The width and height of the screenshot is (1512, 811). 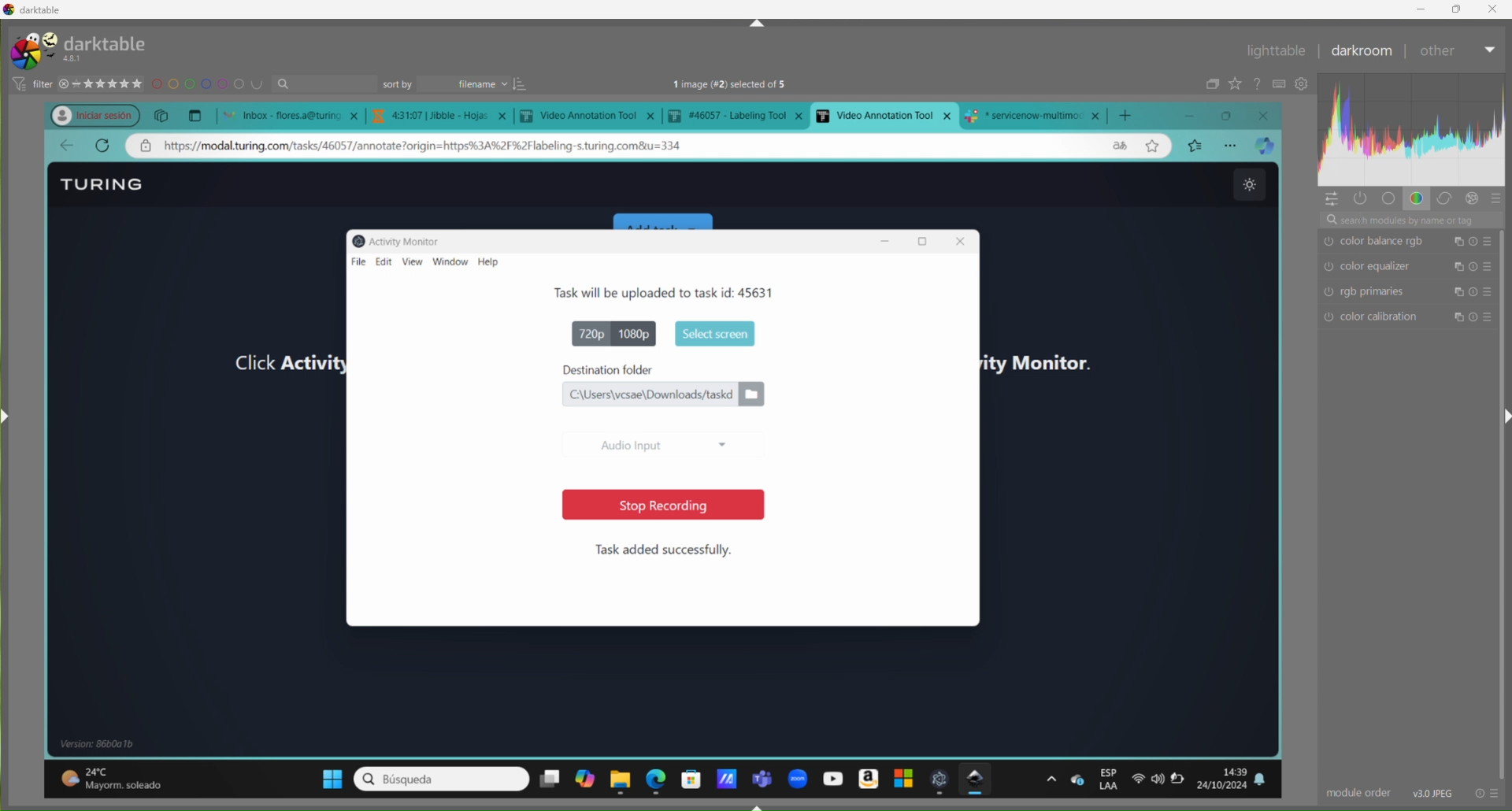 I want to click on teams, so click(x=763, y=774).